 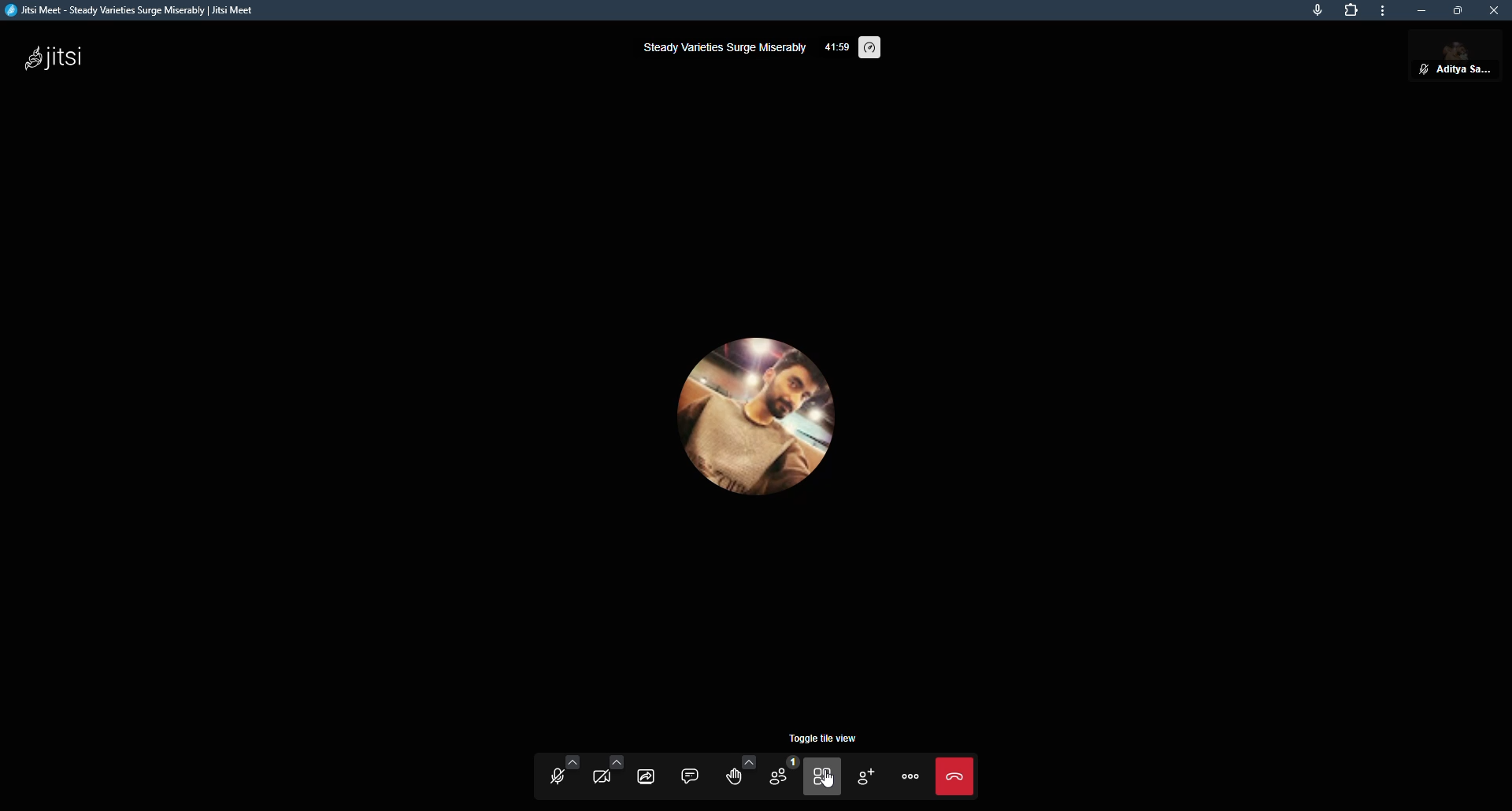 I want to click on maximize, so click(x=1460, y=10).